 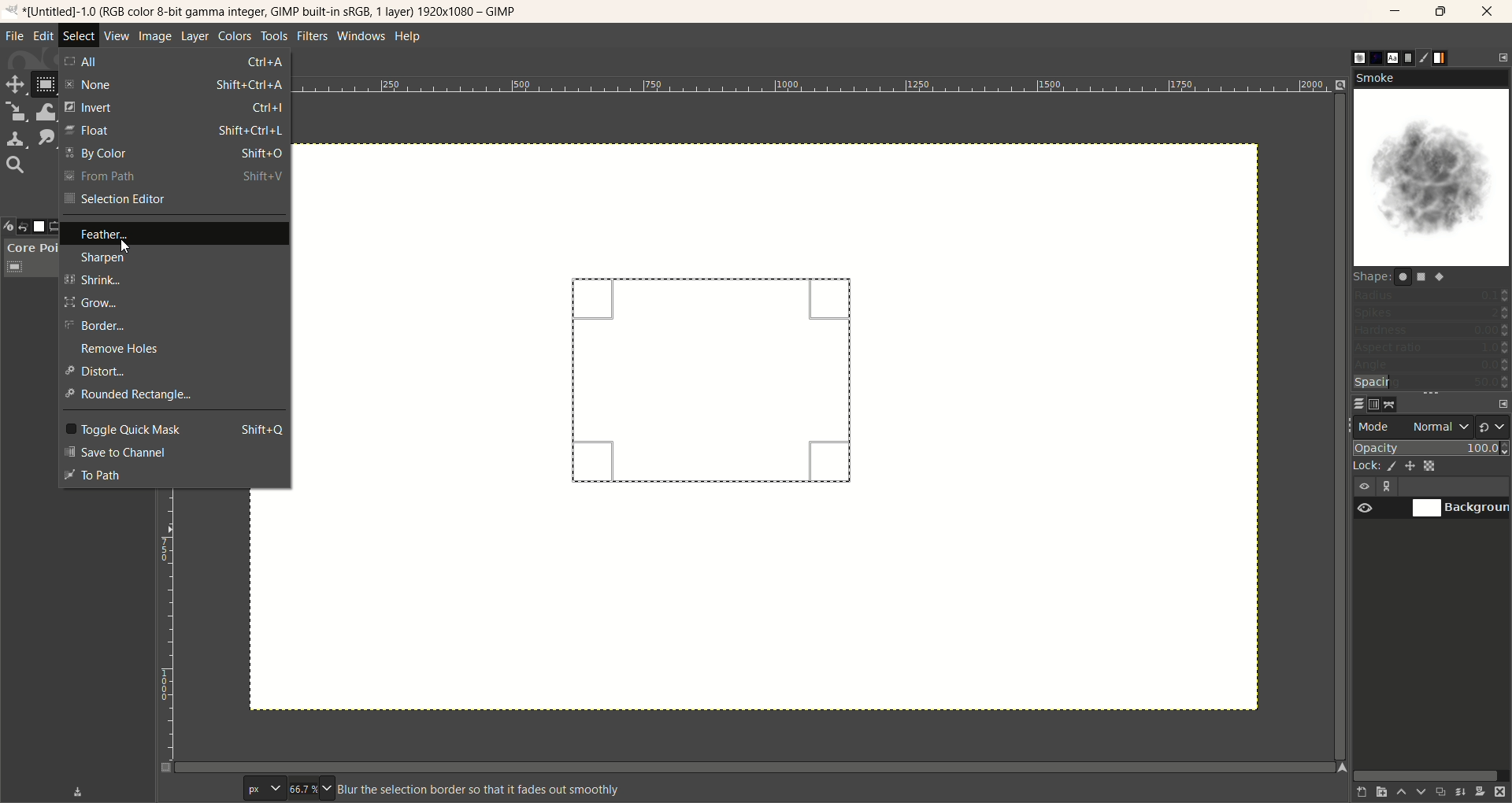 I want to click on merge this layer, so click(x=1458, y=792).